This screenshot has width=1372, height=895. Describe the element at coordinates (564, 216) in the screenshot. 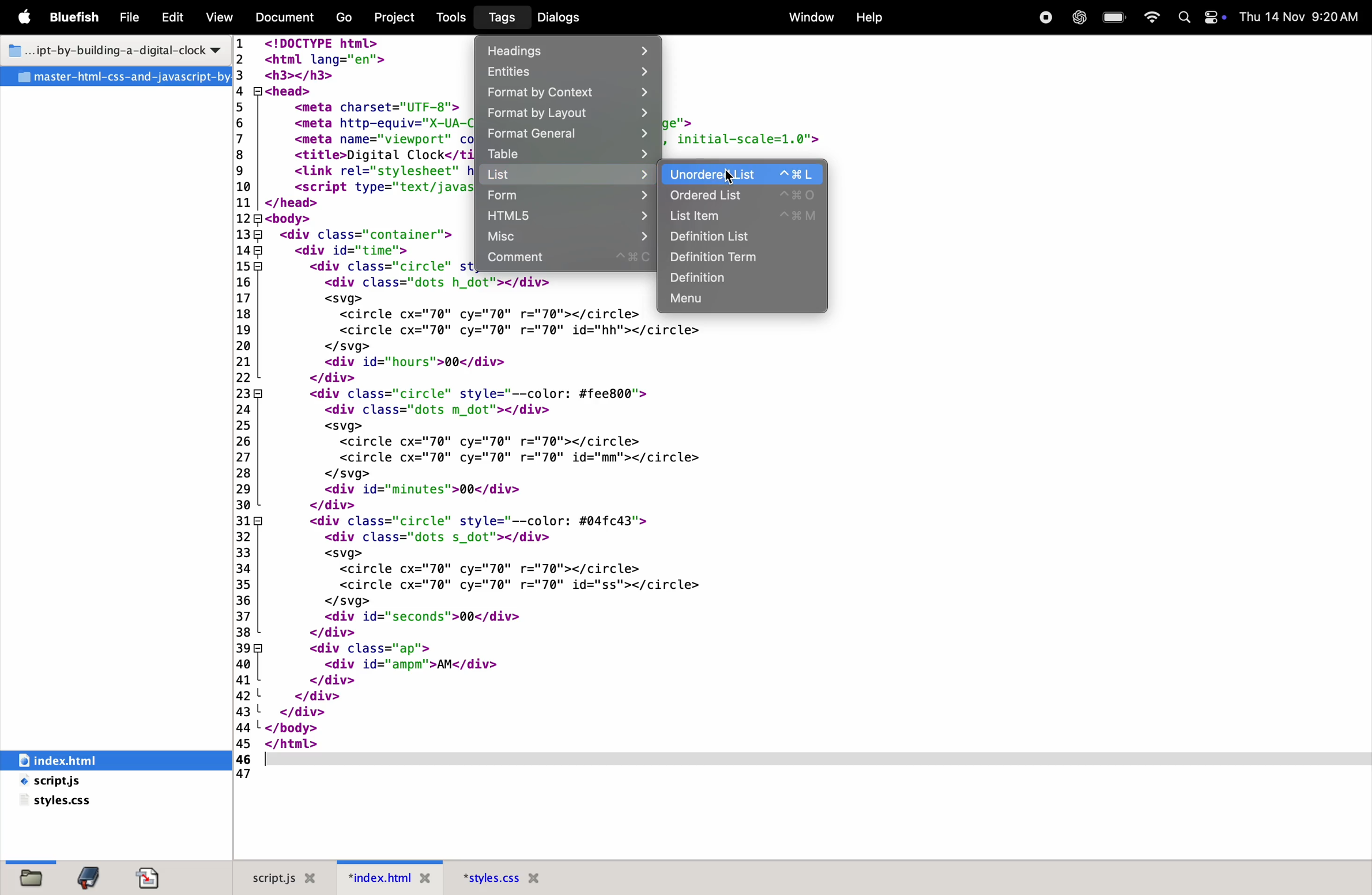

I see `HTML 5` at that location.